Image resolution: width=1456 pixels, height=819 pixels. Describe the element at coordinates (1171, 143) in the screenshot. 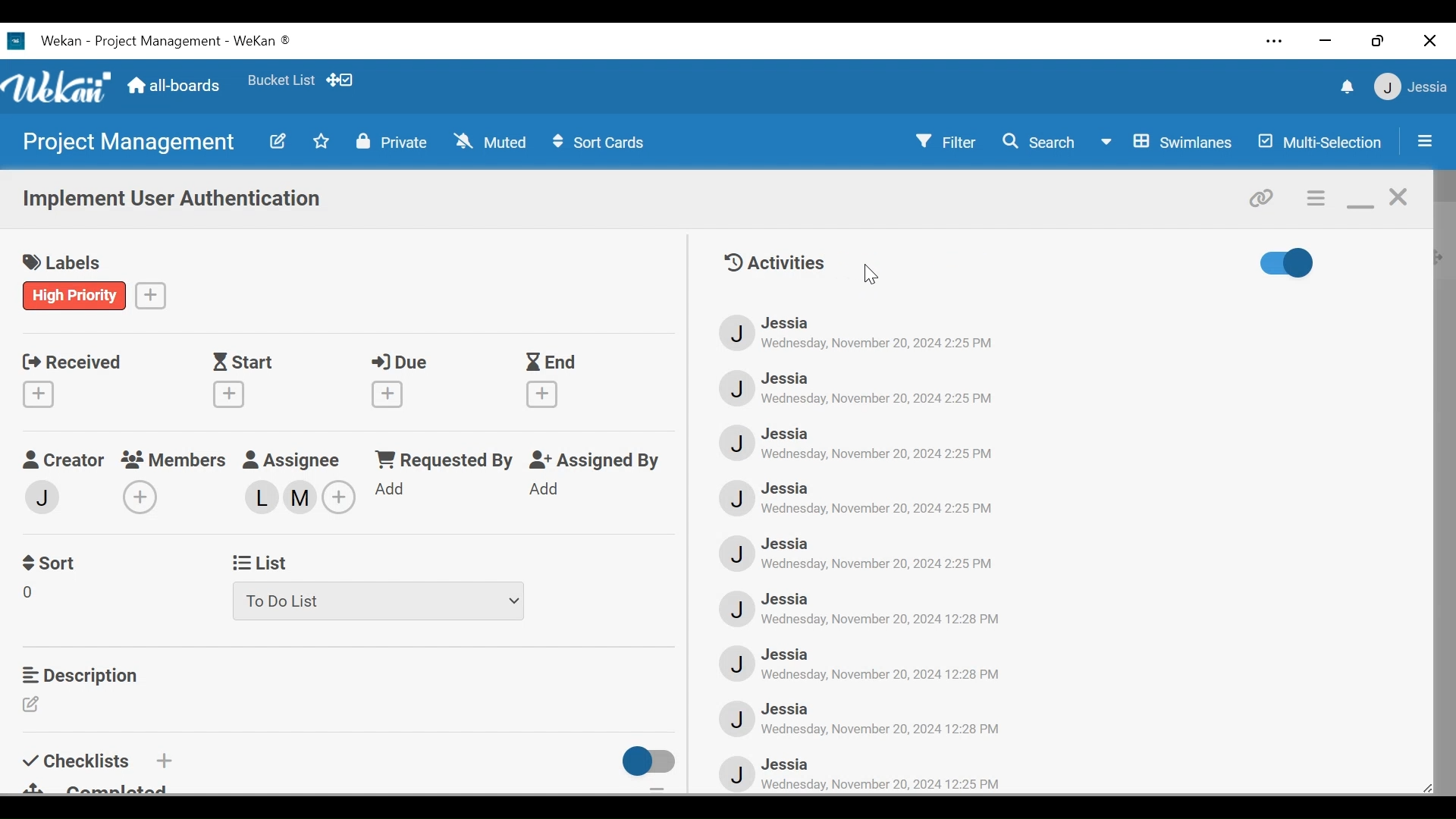

I see `Board View` at that location.